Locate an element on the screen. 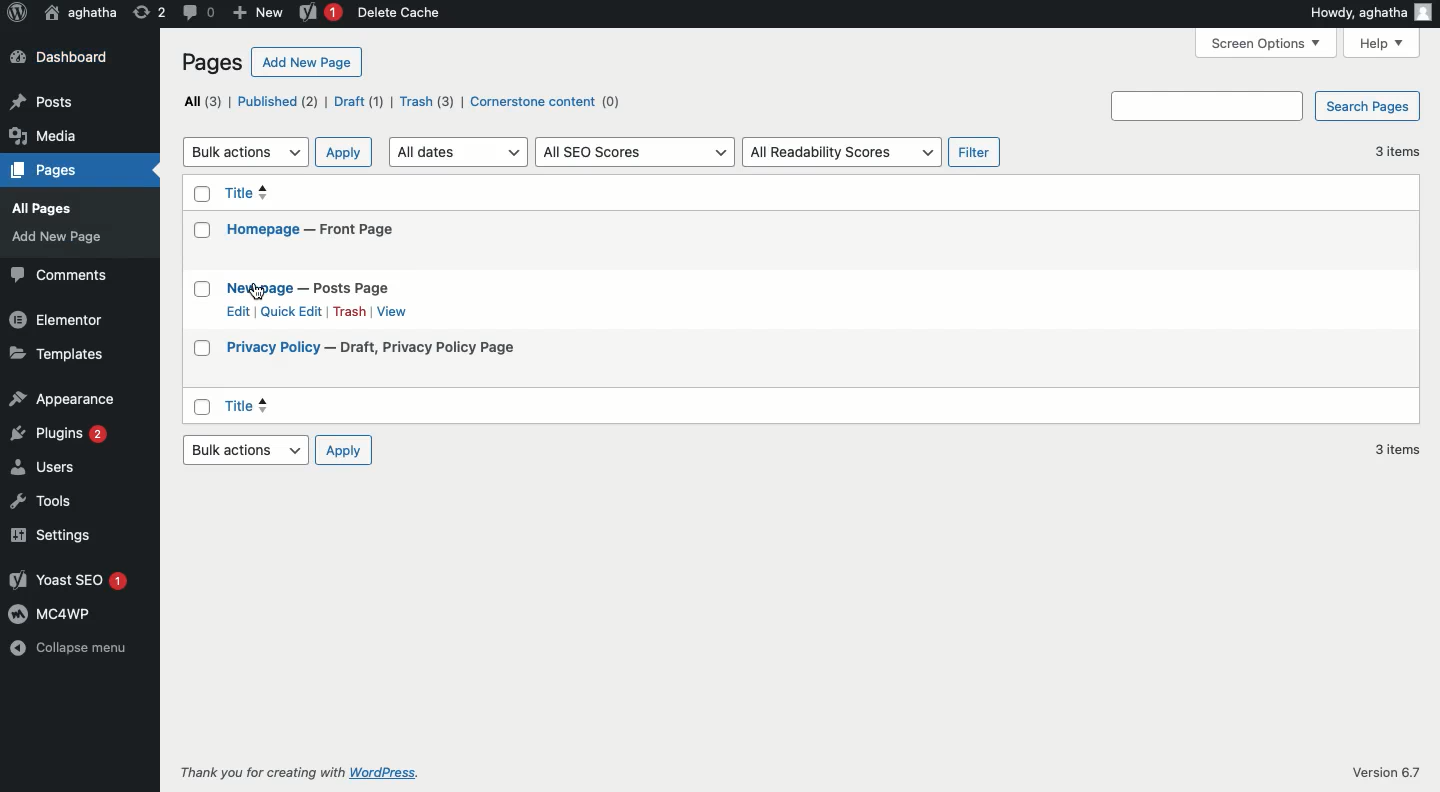  Howdy user is located at coordinates (1369, 12).